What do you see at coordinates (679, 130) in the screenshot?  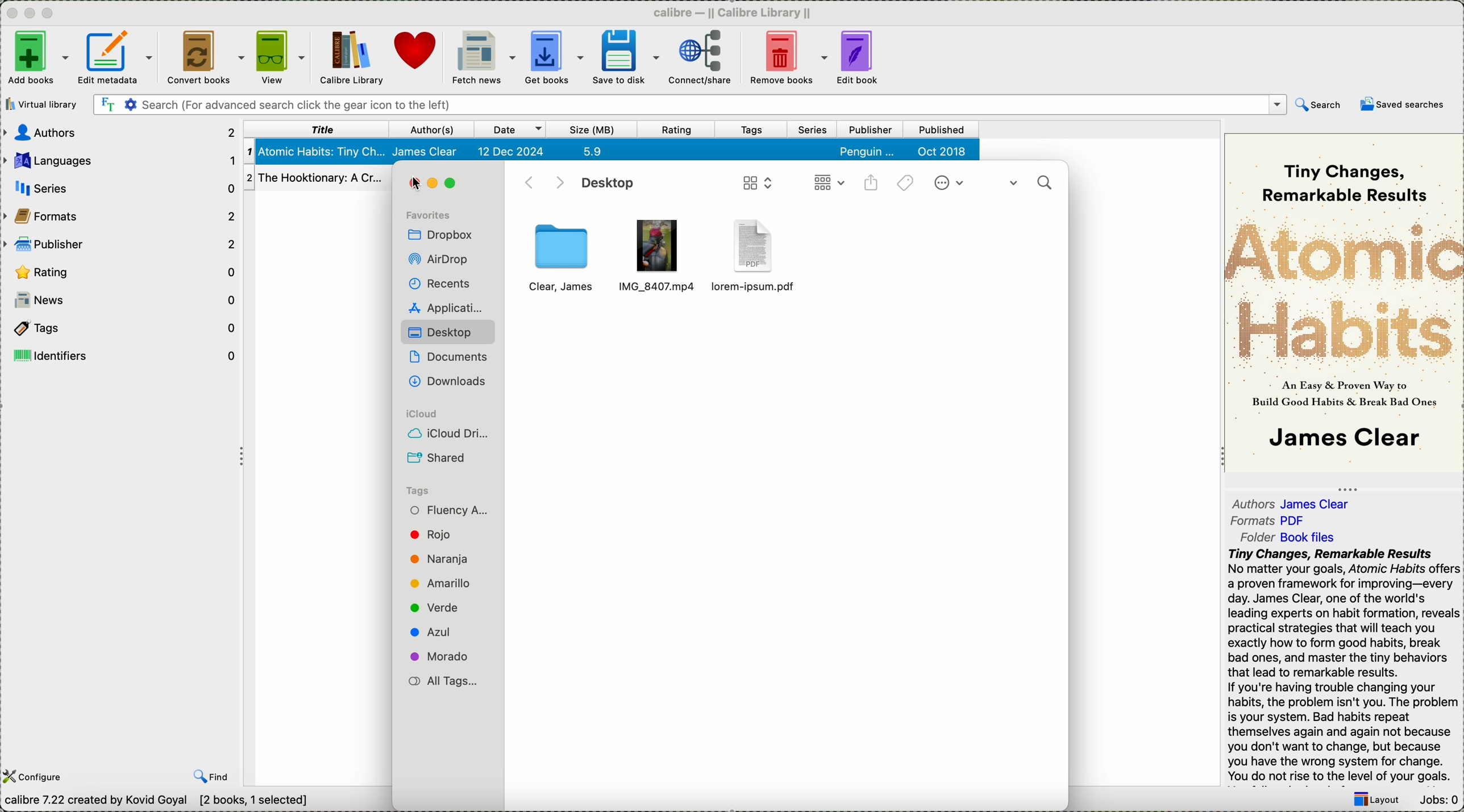 I see `rating` at bounding box center [679, 130].